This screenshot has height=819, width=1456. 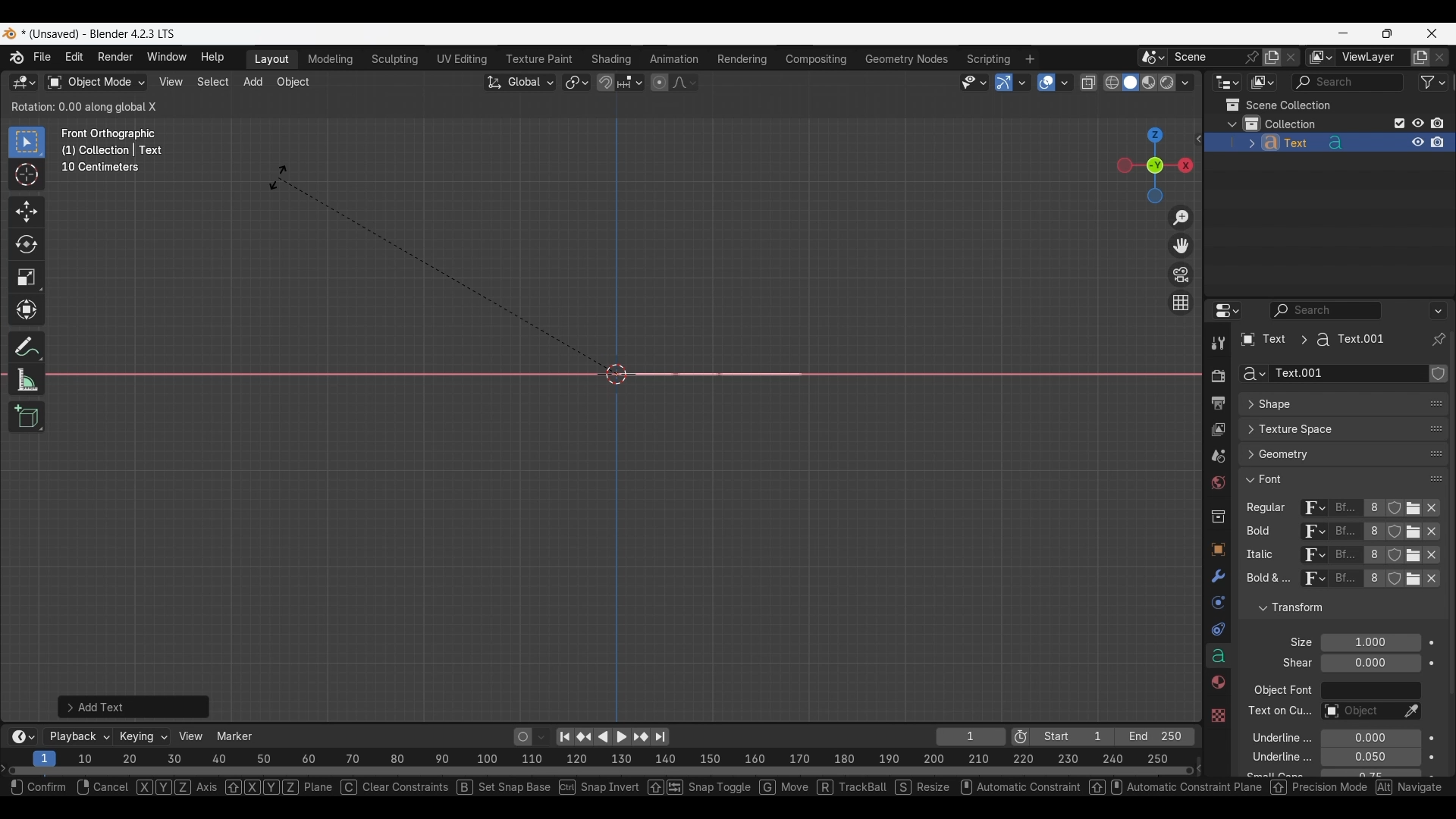 What do you see at coordinates (133, 707) in the screenshot?
I see `Add text` at bounding box center [133, 707].